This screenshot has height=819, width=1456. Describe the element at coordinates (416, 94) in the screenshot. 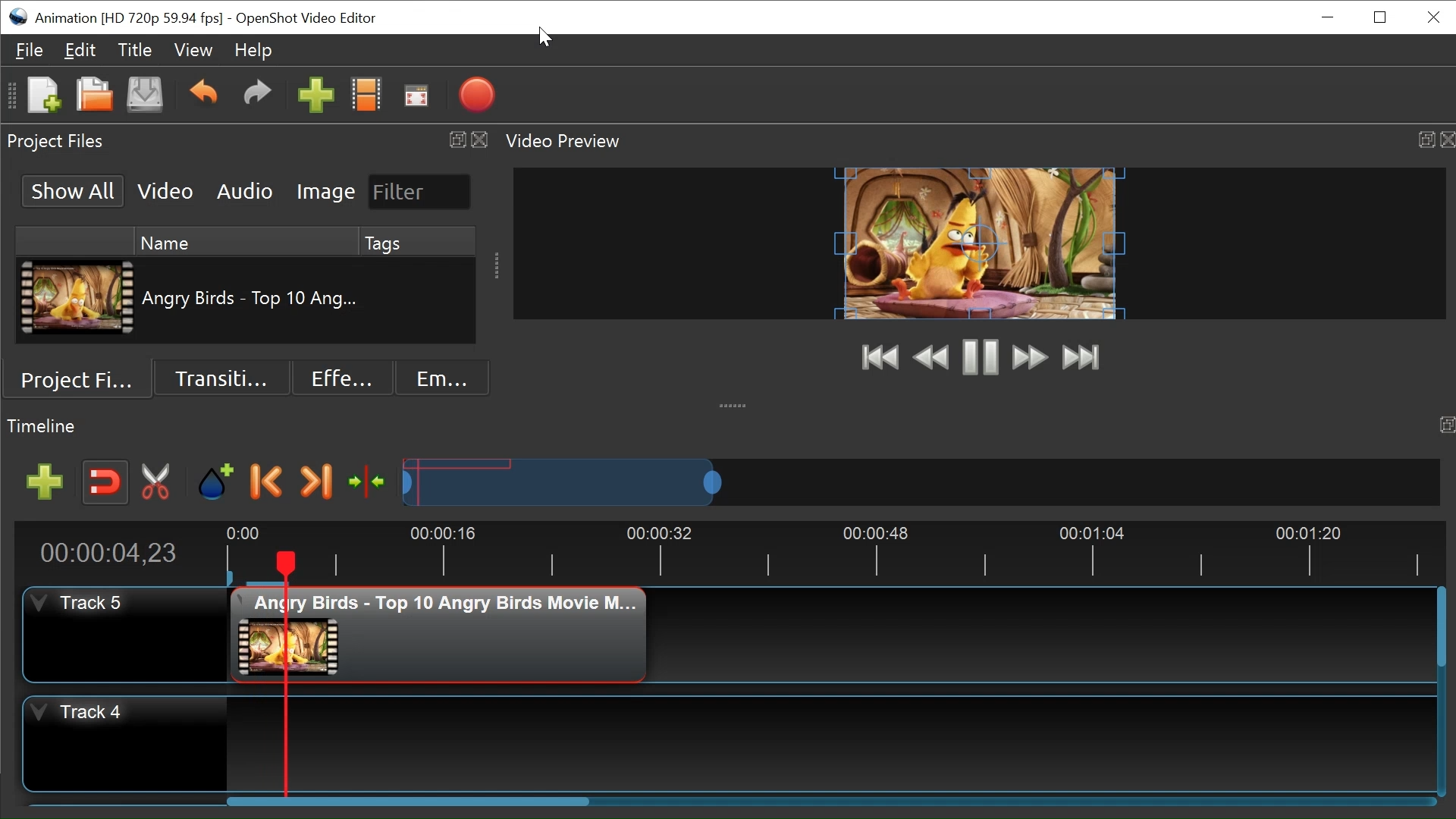

I see `Fullscreen` at that location.